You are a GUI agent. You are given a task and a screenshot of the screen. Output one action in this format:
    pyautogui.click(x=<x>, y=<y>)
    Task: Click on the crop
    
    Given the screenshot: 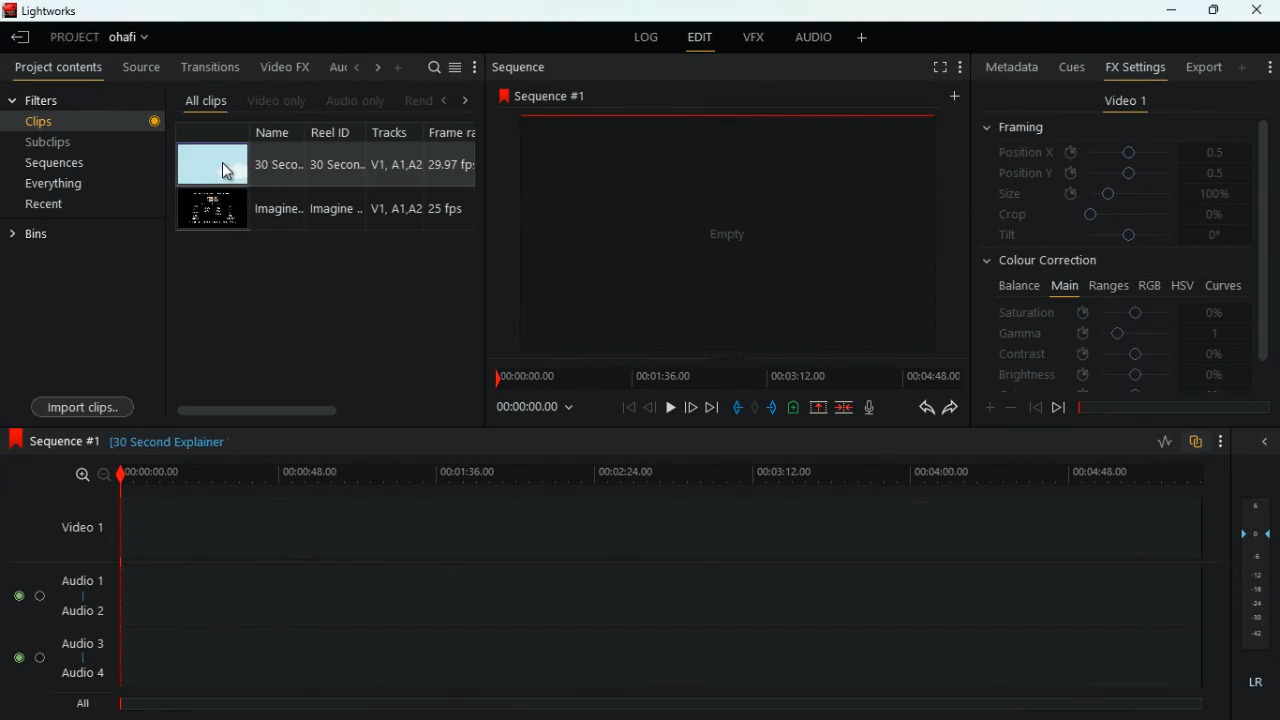 What is the action you would take?
    pyautogui.click(x=1109, y=215)
    